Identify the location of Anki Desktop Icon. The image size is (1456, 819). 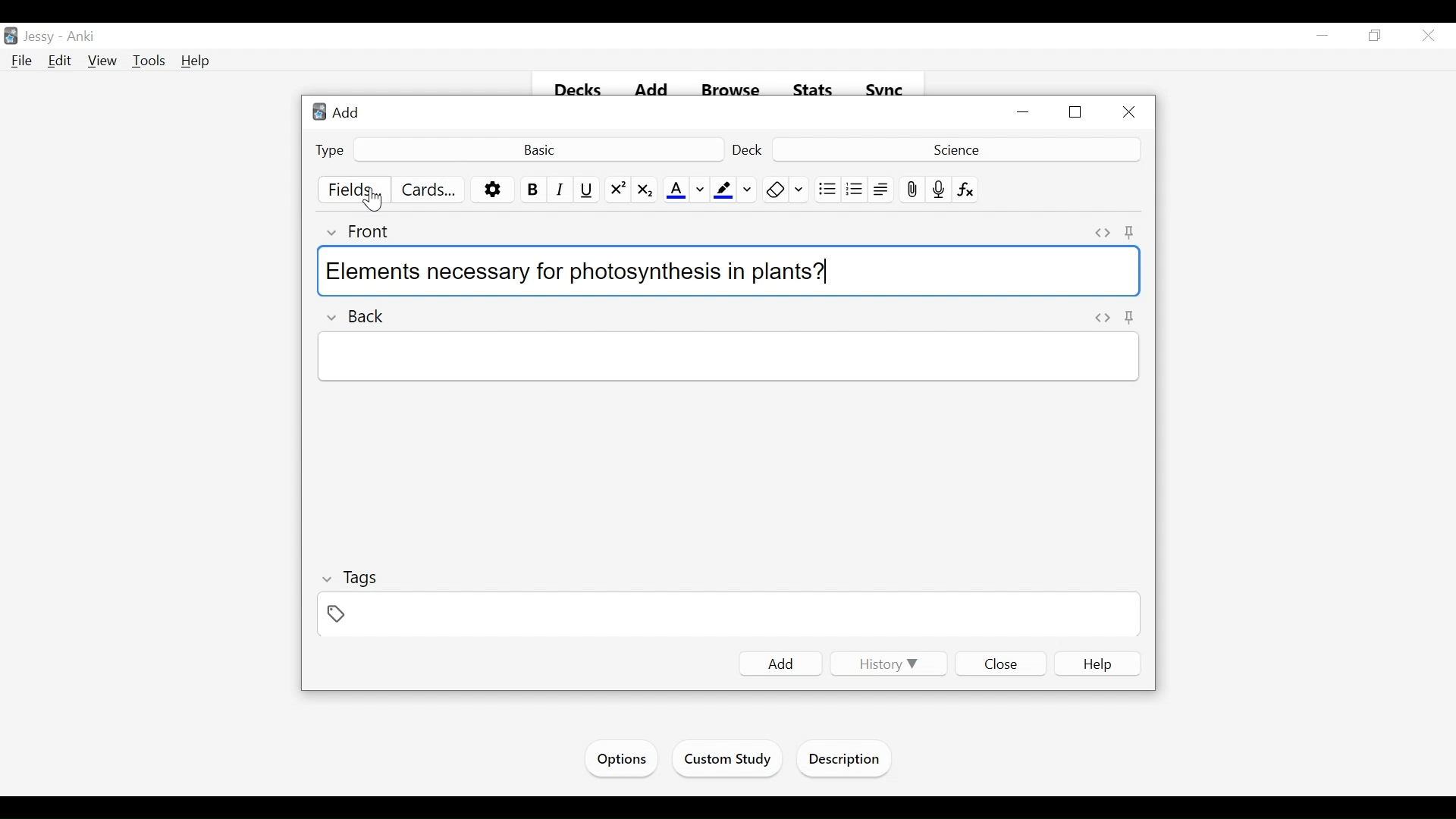
(11, 36).